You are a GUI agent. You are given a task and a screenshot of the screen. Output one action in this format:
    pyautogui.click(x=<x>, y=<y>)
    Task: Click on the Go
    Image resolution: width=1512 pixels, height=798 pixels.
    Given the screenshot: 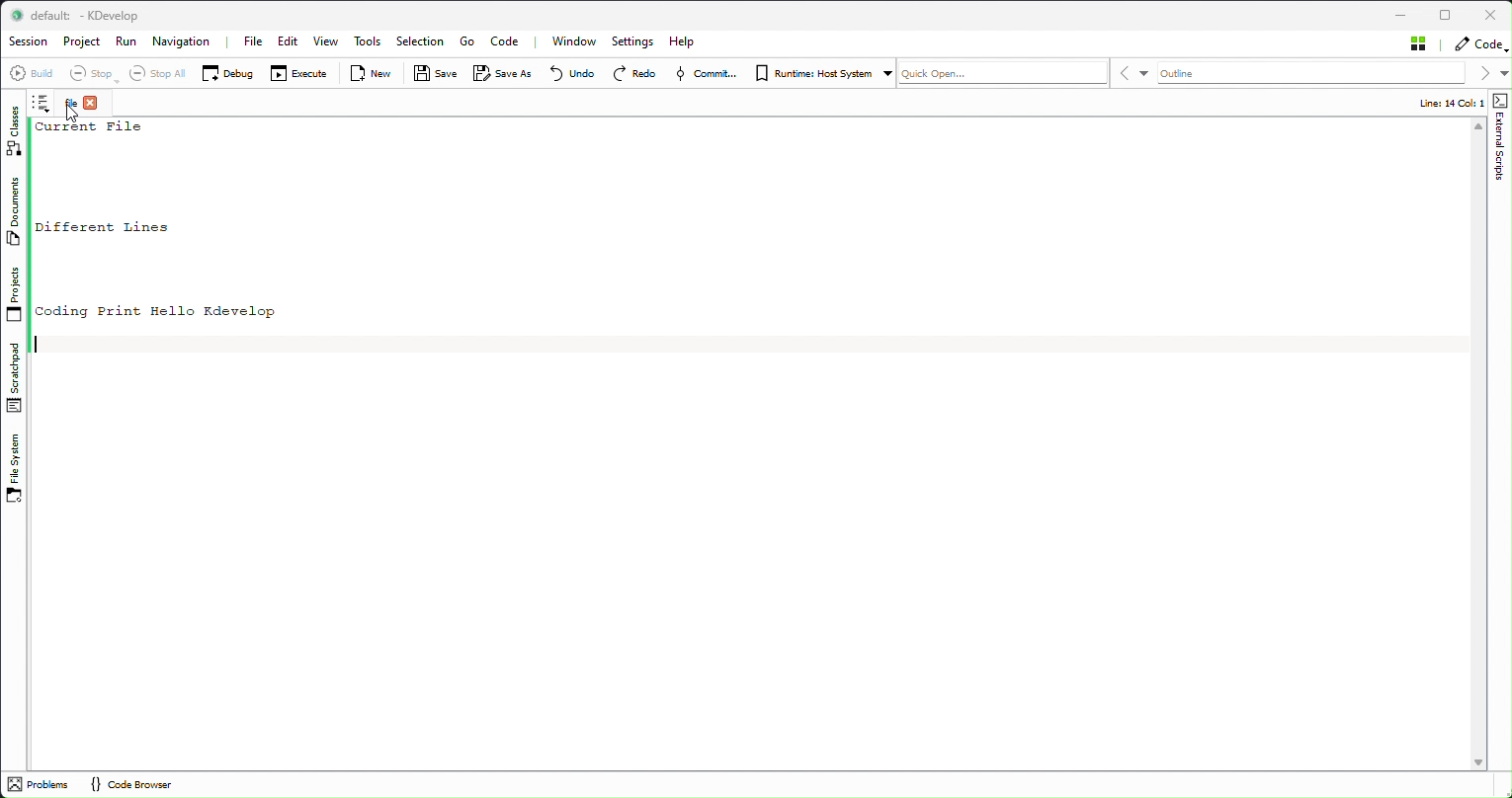 What is the action you would take?
    pyautogui.click(x=467, y=43)
    